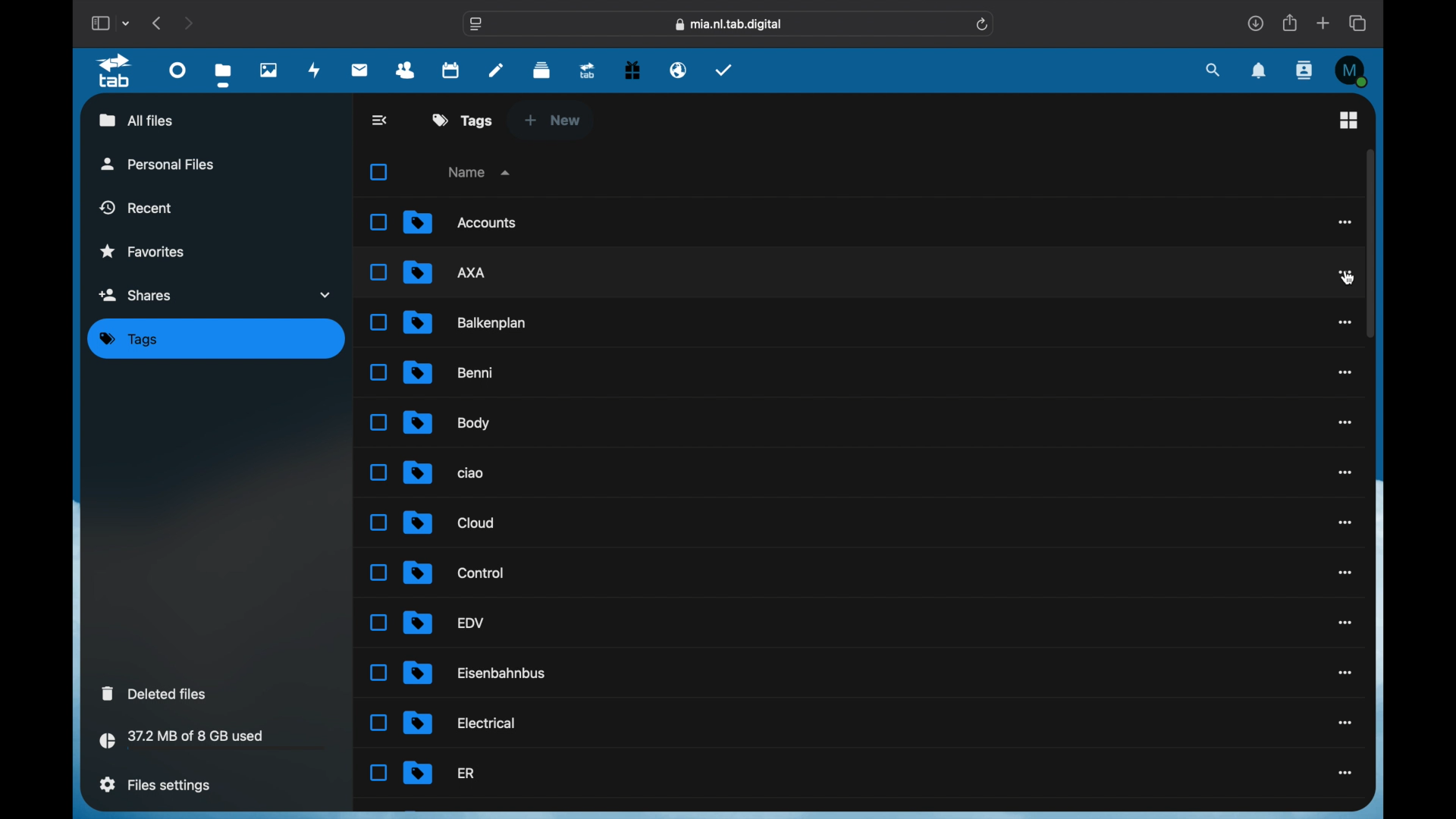  Describe the element at coordinates (142, 252) in the screenshot. I see `favorites` at that location.